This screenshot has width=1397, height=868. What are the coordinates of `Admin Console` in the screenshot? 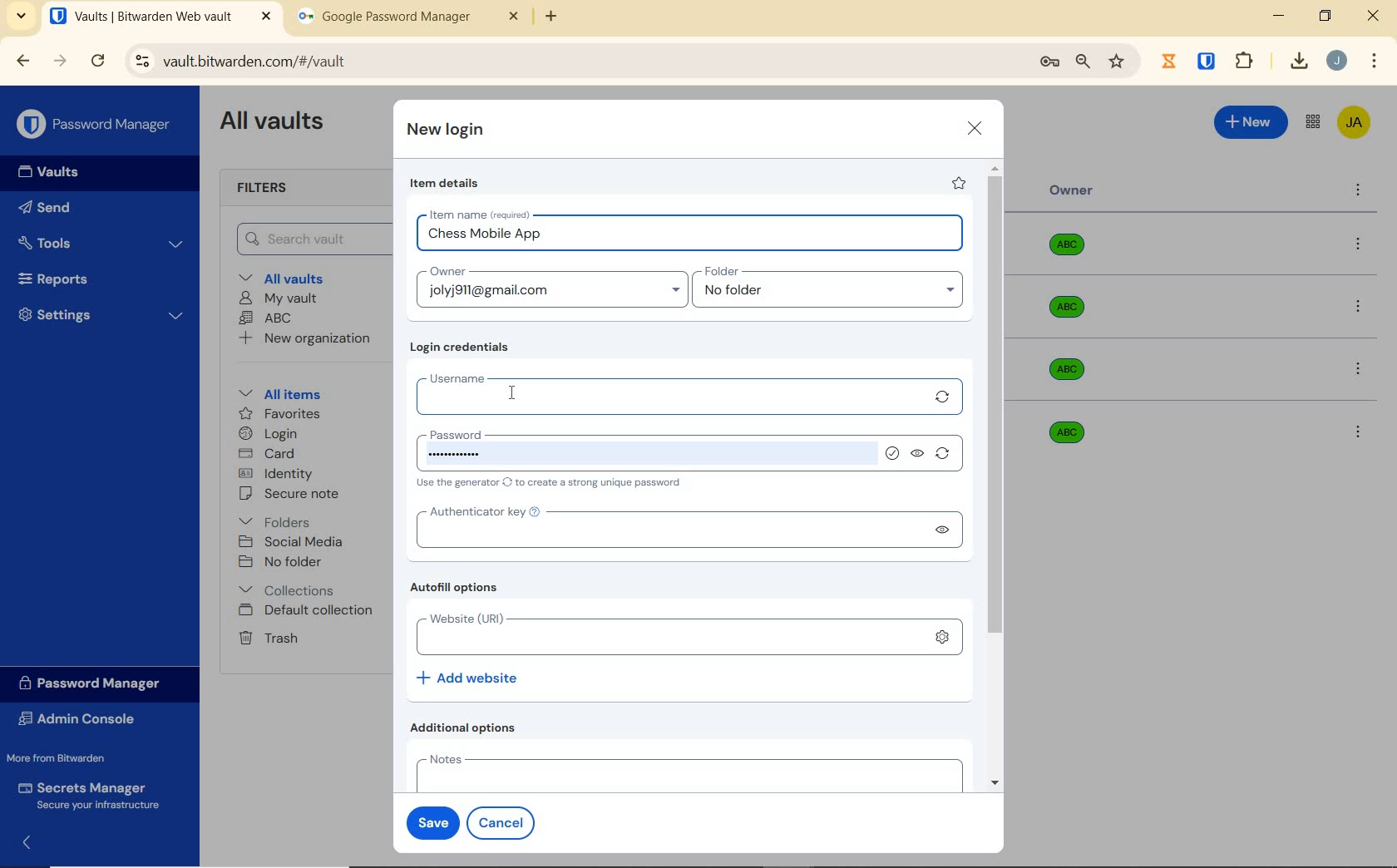 It's located at (81, 721).